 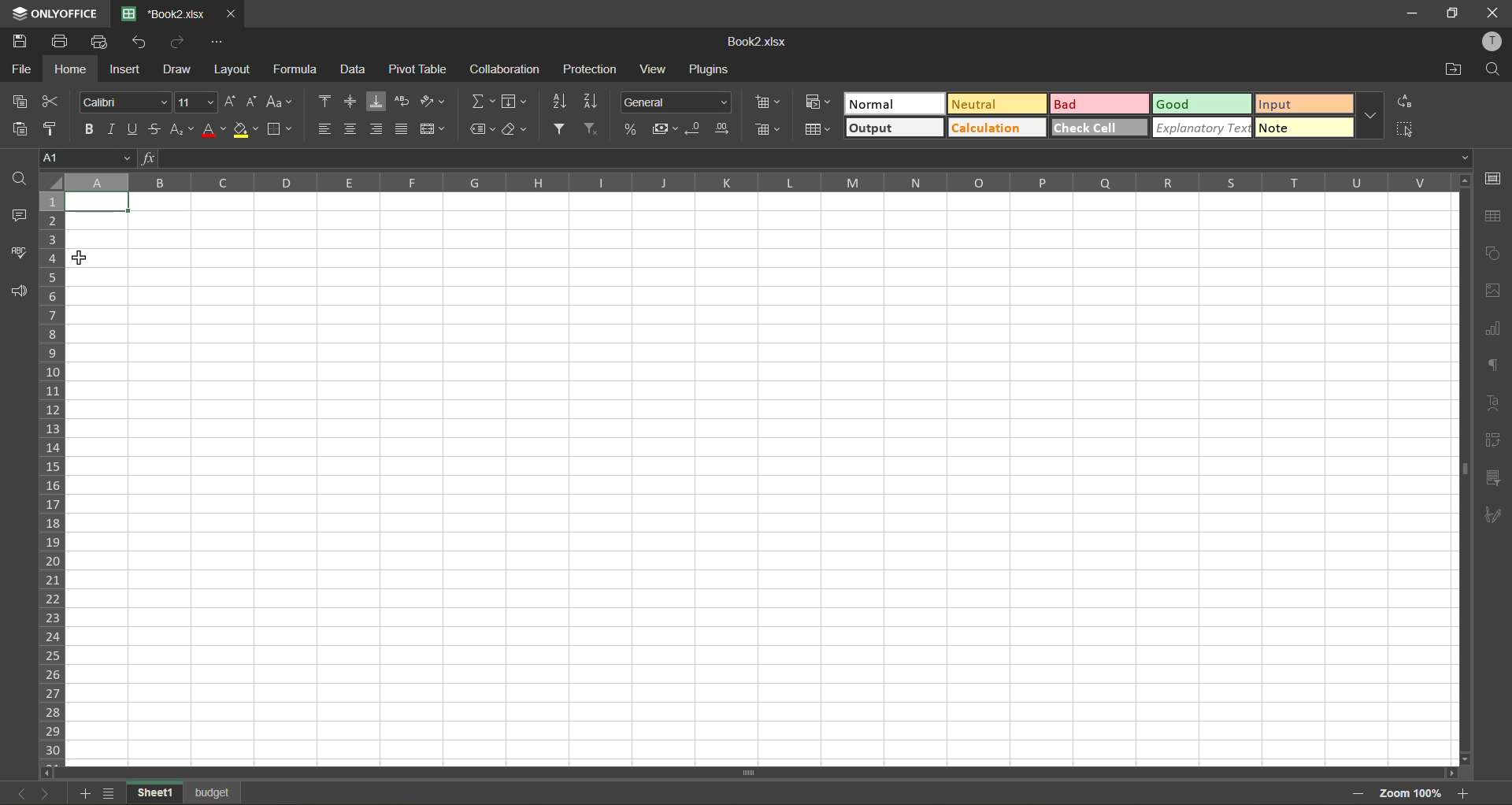 I want to click on calculation, so click(x=997, y=129).